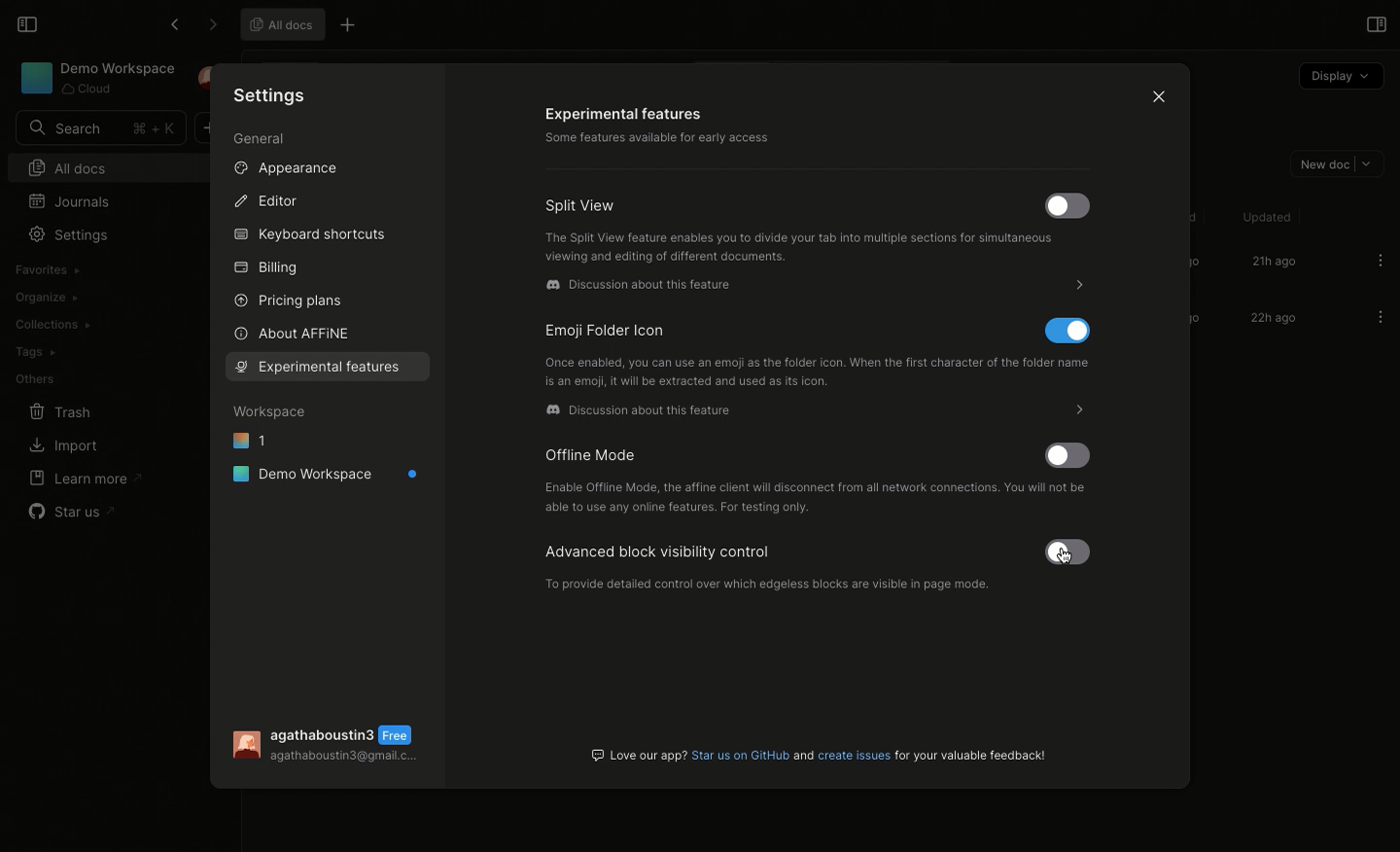 The width and height of the screenshot is (1400, 852). What do you see at coordinates (74, 512) in the screenshot?
I see `Star us` at bounding box center [74, 512].